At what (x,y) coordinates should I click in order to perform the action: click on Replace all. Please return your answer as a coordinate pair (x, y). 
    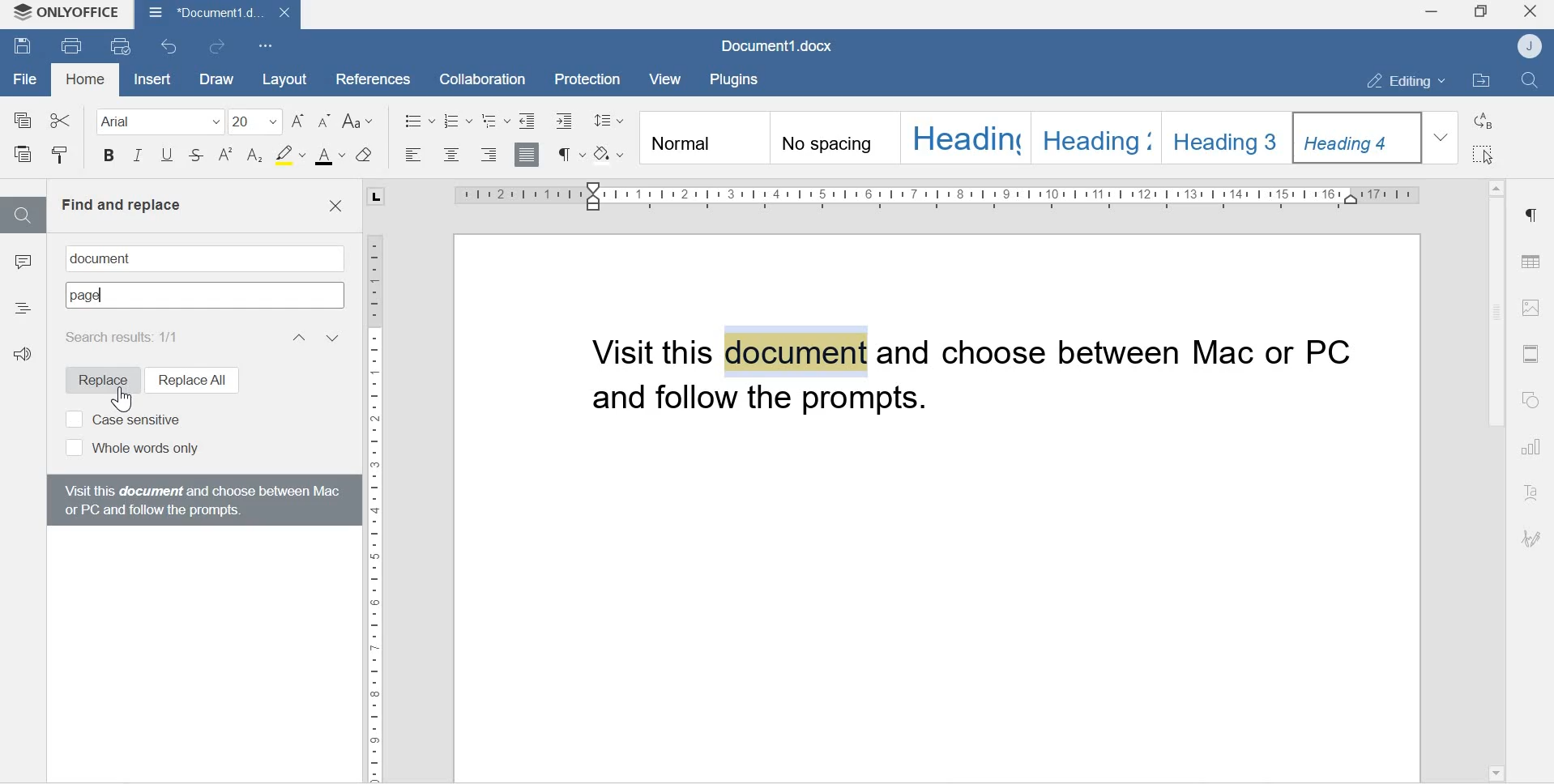
    Looking at the image, I should click on (190, 379).